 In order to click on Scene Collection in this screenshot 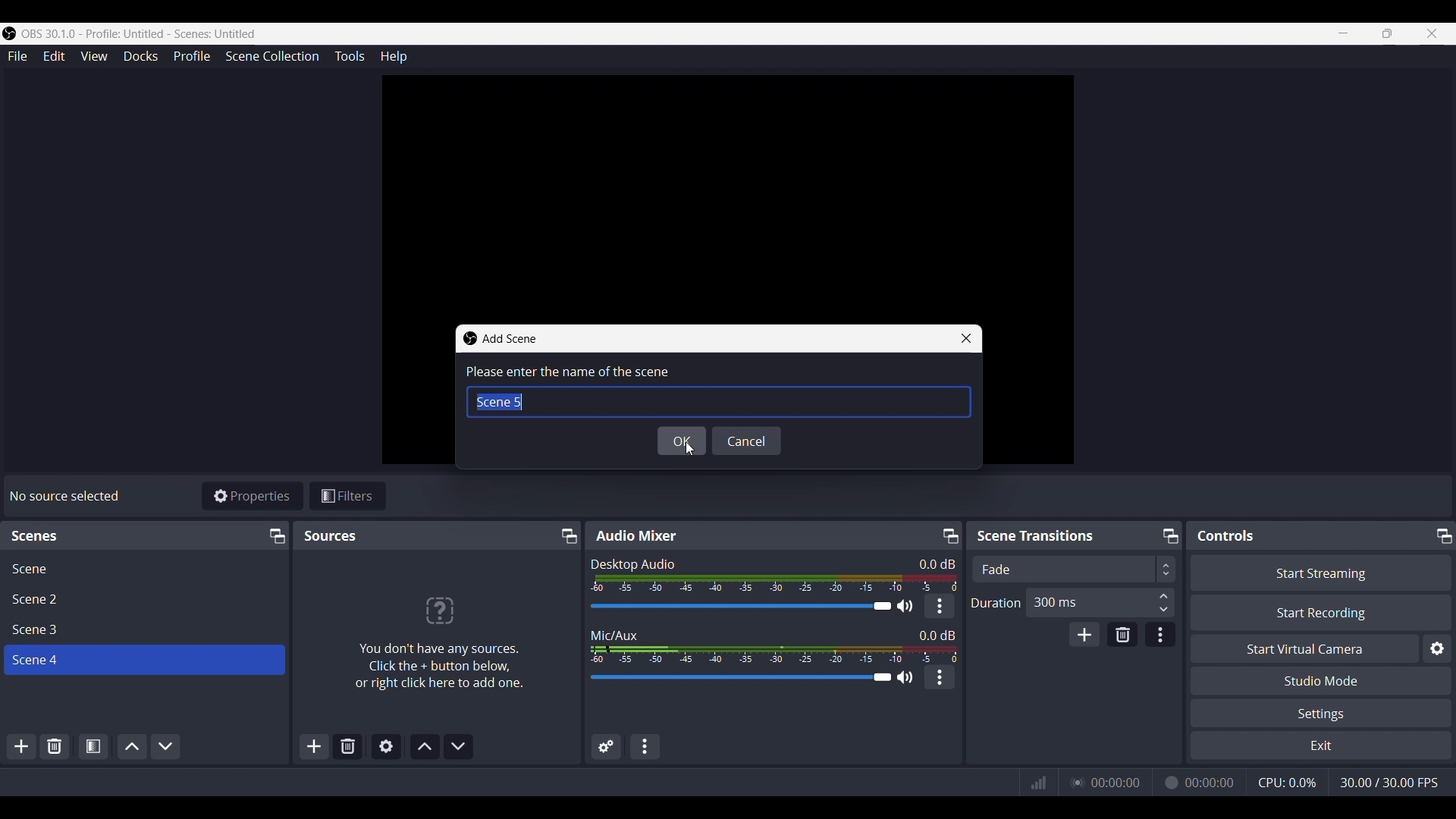, I will do `click(272, 57)`.